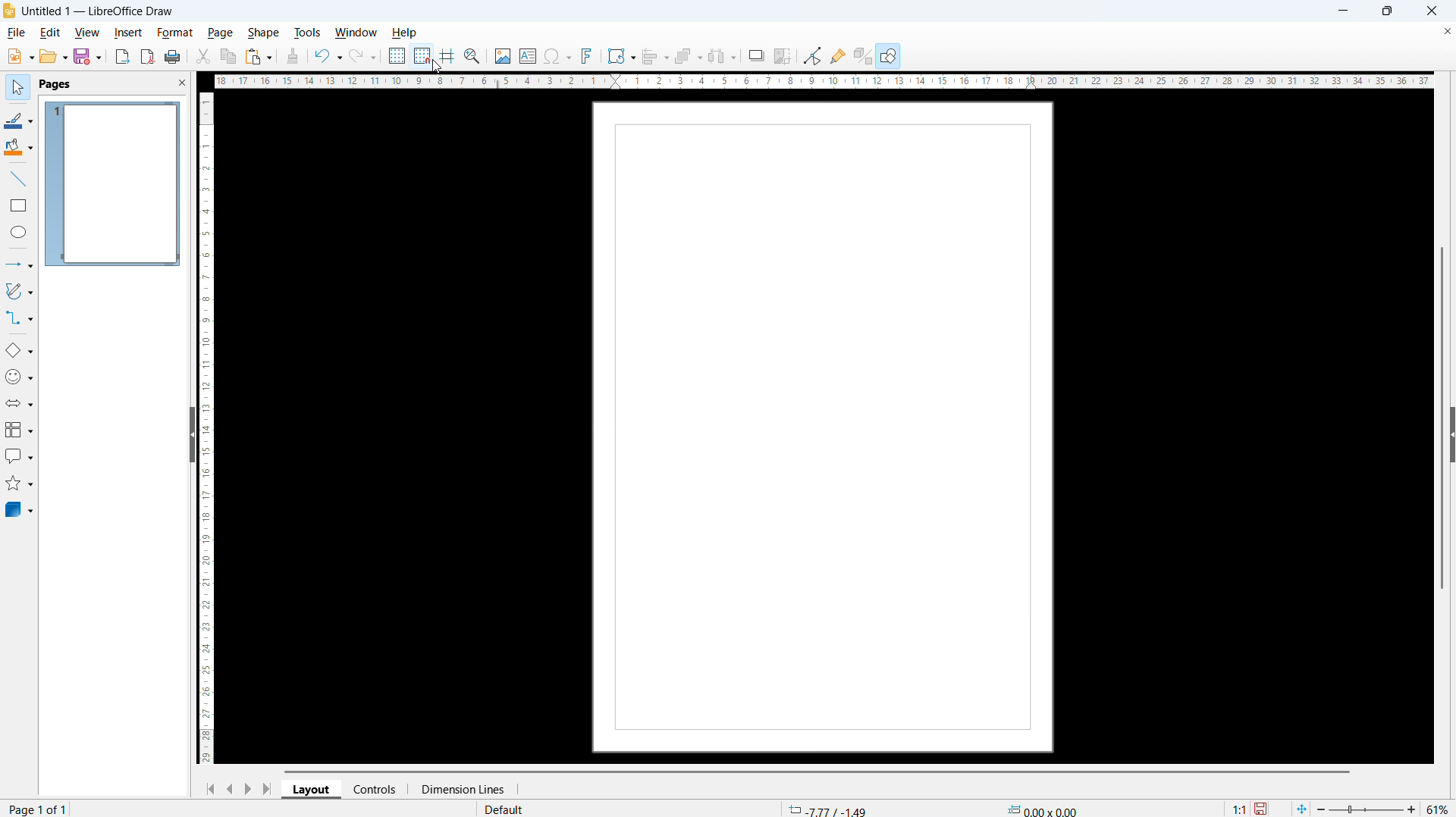 The image size is (1456, 817). I want to click on Transformations , so click(621, 55).